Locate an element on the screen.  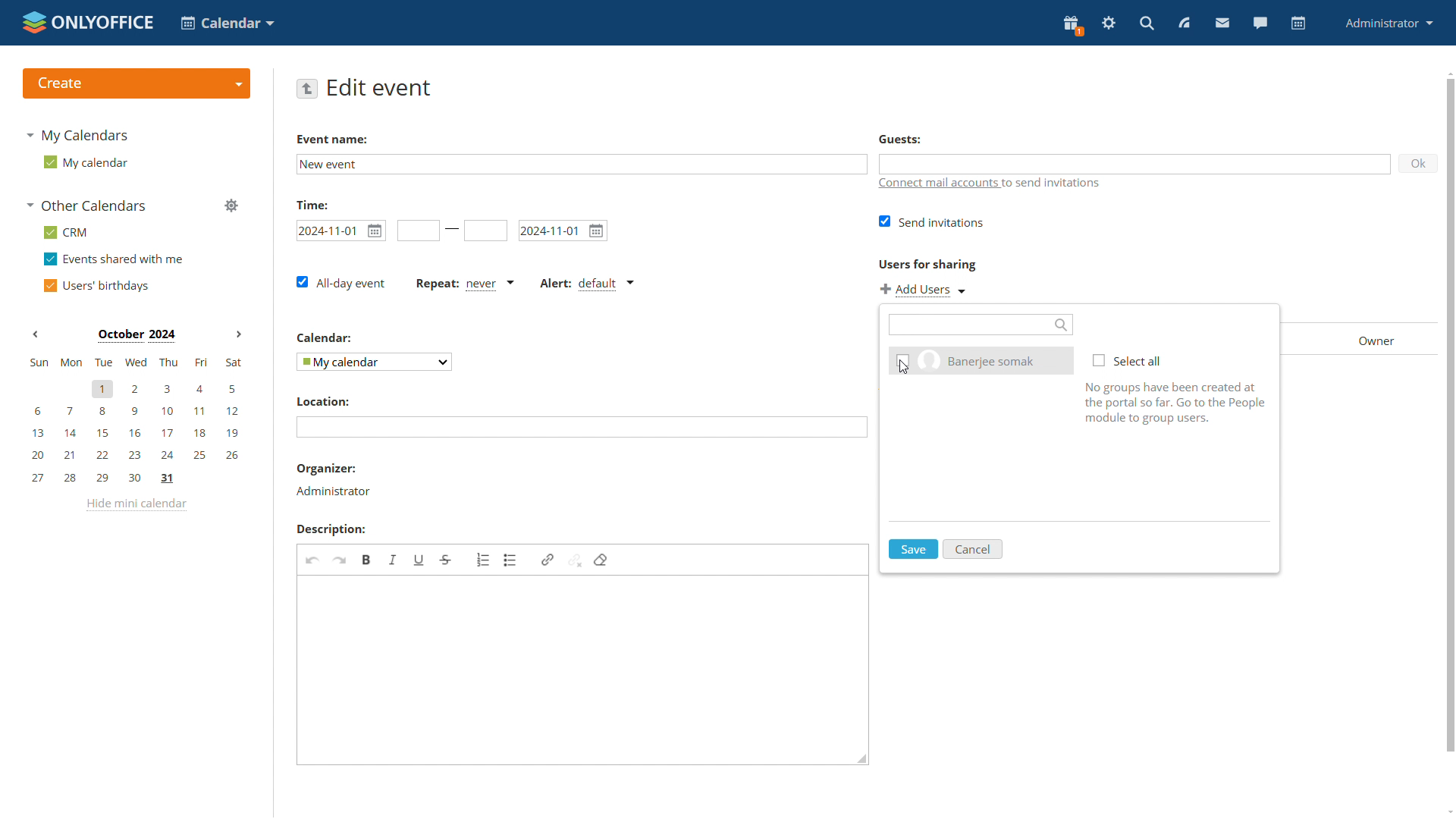
search is located at coordinates (1146, 24).